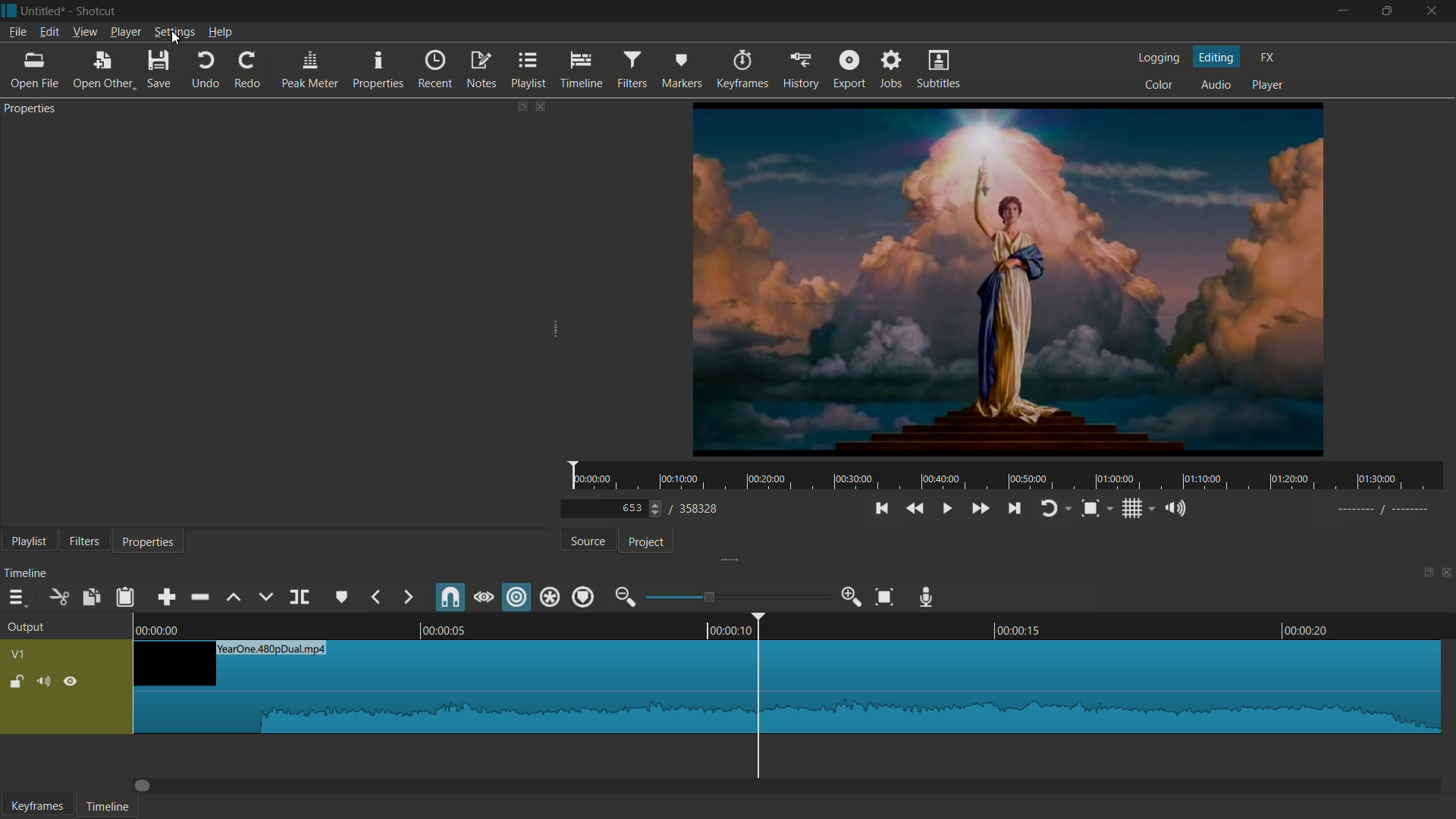  I want to click on scrub while dragging, so click(484, 597).